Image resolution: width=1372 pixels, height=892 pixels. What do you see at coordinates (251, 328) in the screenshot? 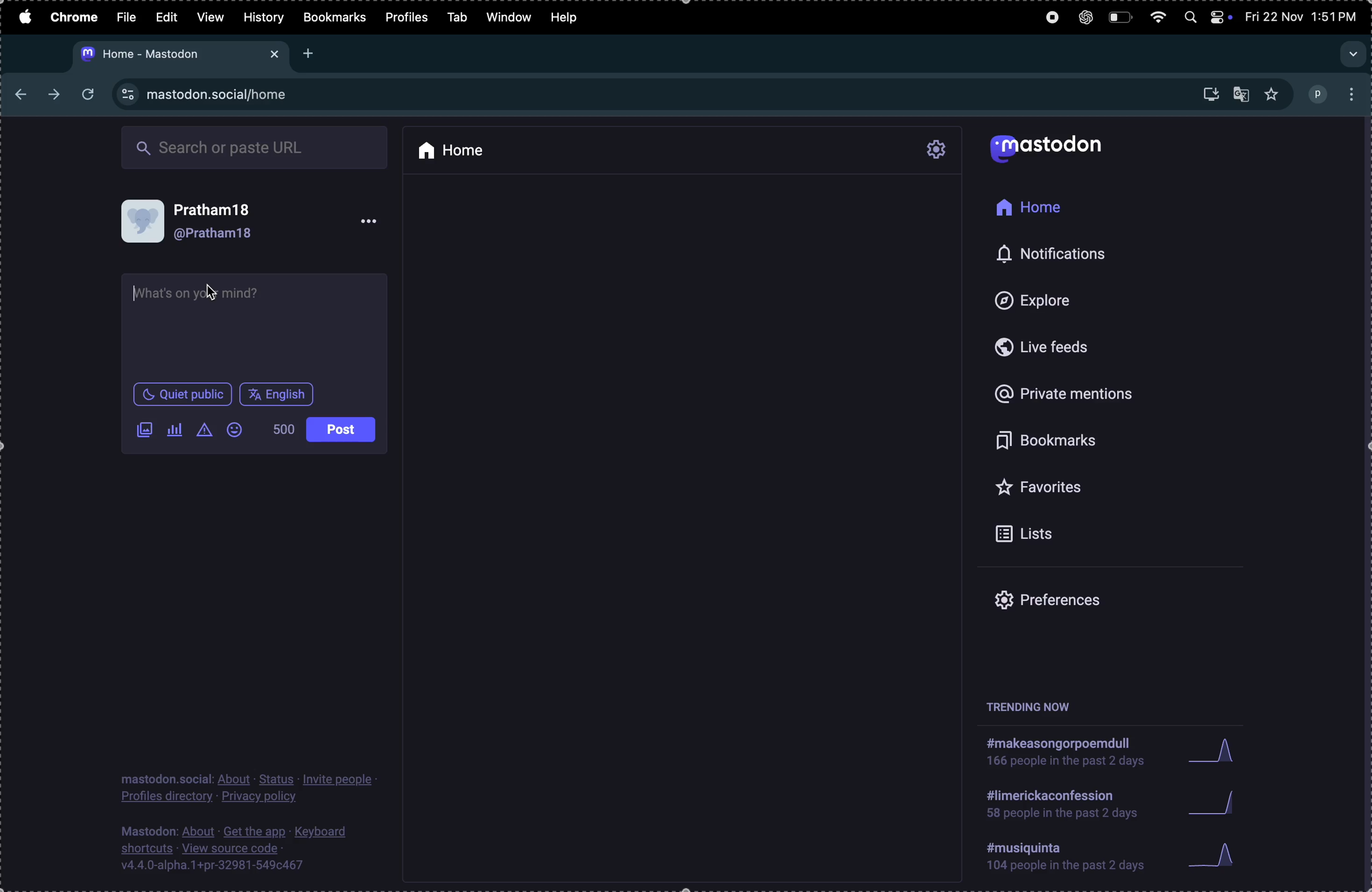
I see `text box` at bounding box center [251, 328].